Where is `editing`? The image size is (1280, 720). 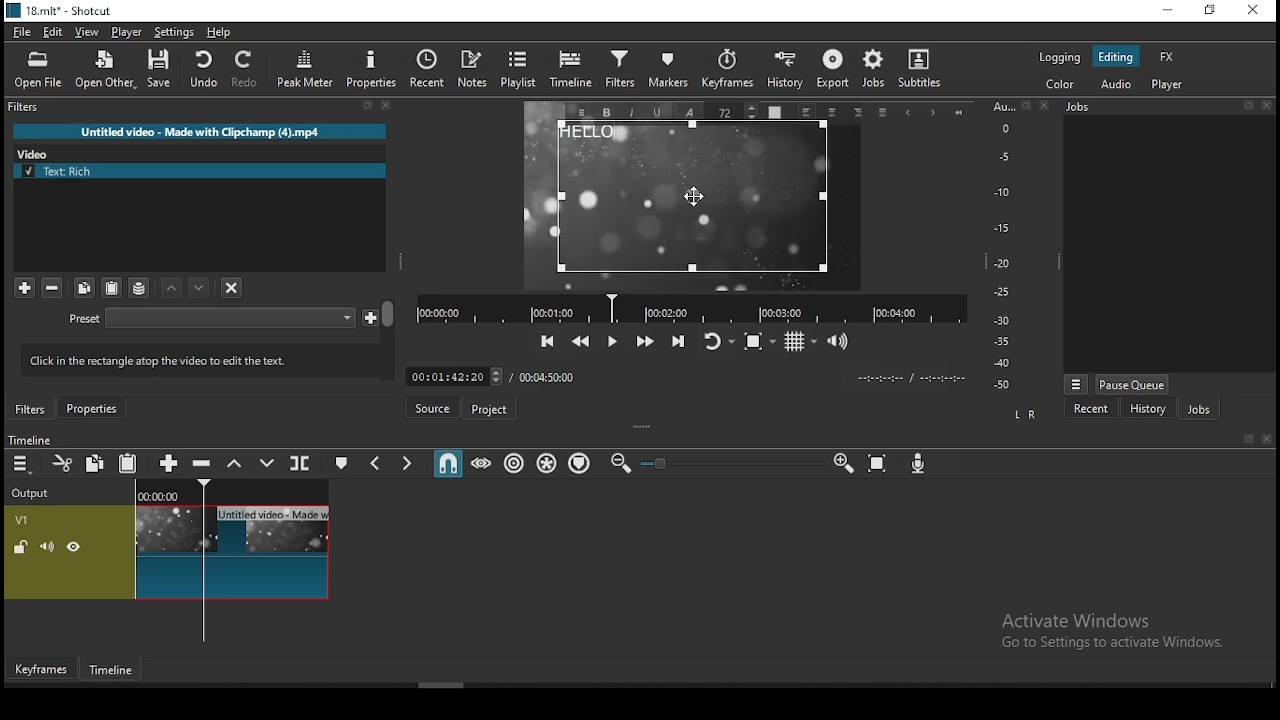
editing is located at coordinates (1117, 56).